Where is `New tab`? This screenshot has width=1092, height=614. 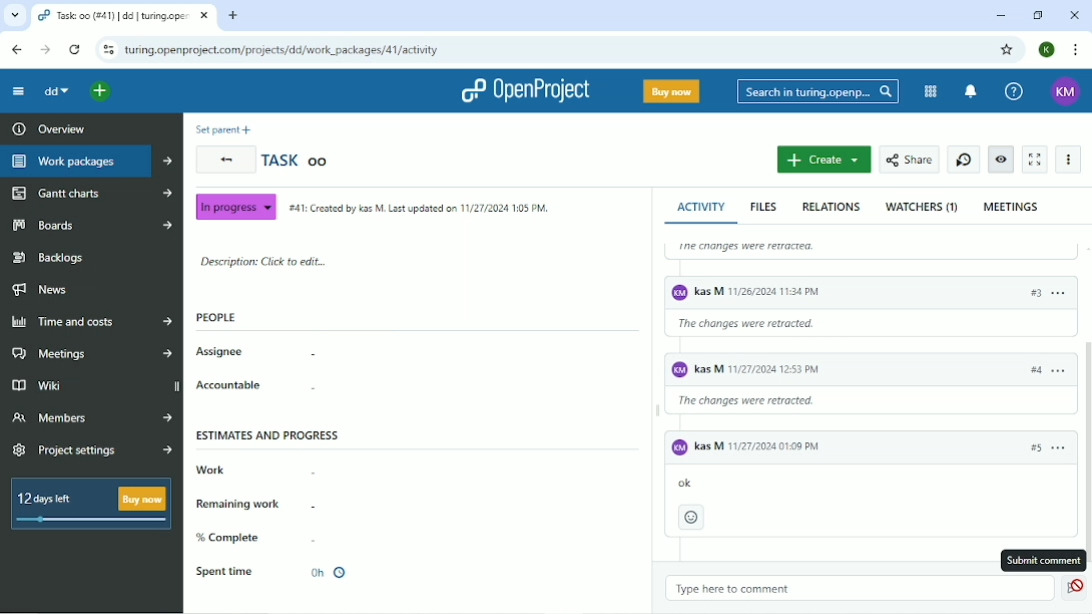
New tab is located at coordinates (234, 16).